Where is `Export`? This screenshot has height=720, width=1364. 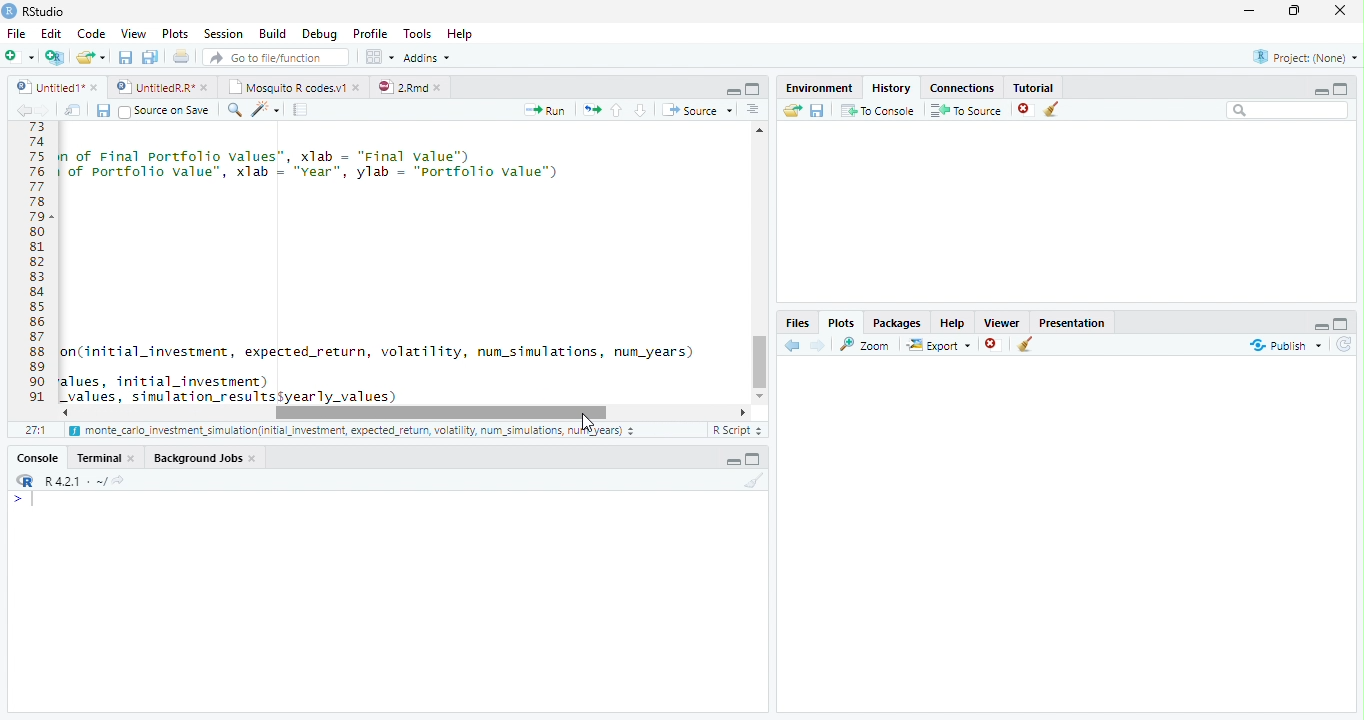
Export is located at coordinates (937, 345).